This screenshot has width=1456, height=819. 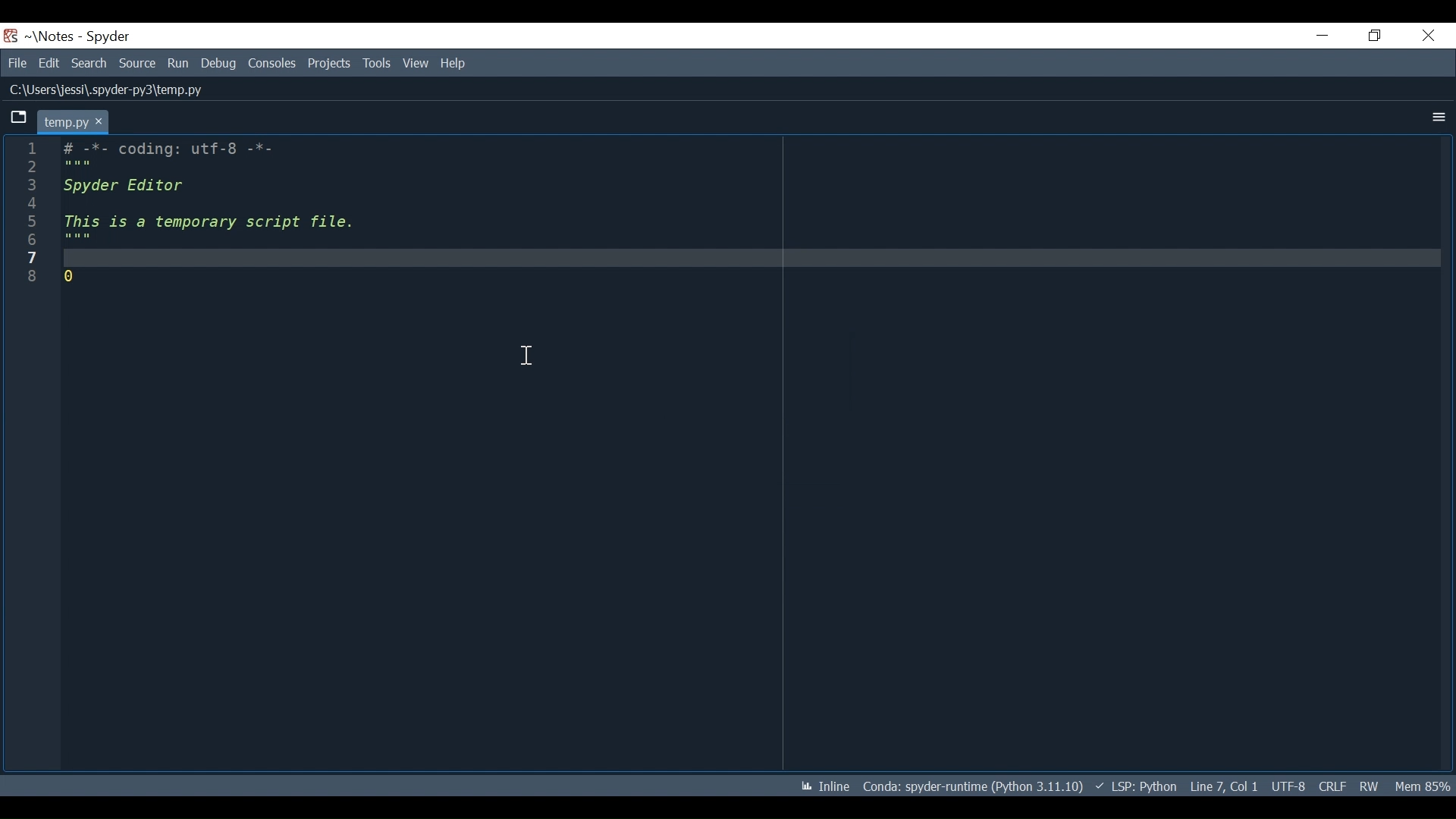 What do you see at coordinates (108, 89) in the screenshot?
I see `C:\Users\jessi\.spyder-py3\temp.py` at bounding box center [108, 89].